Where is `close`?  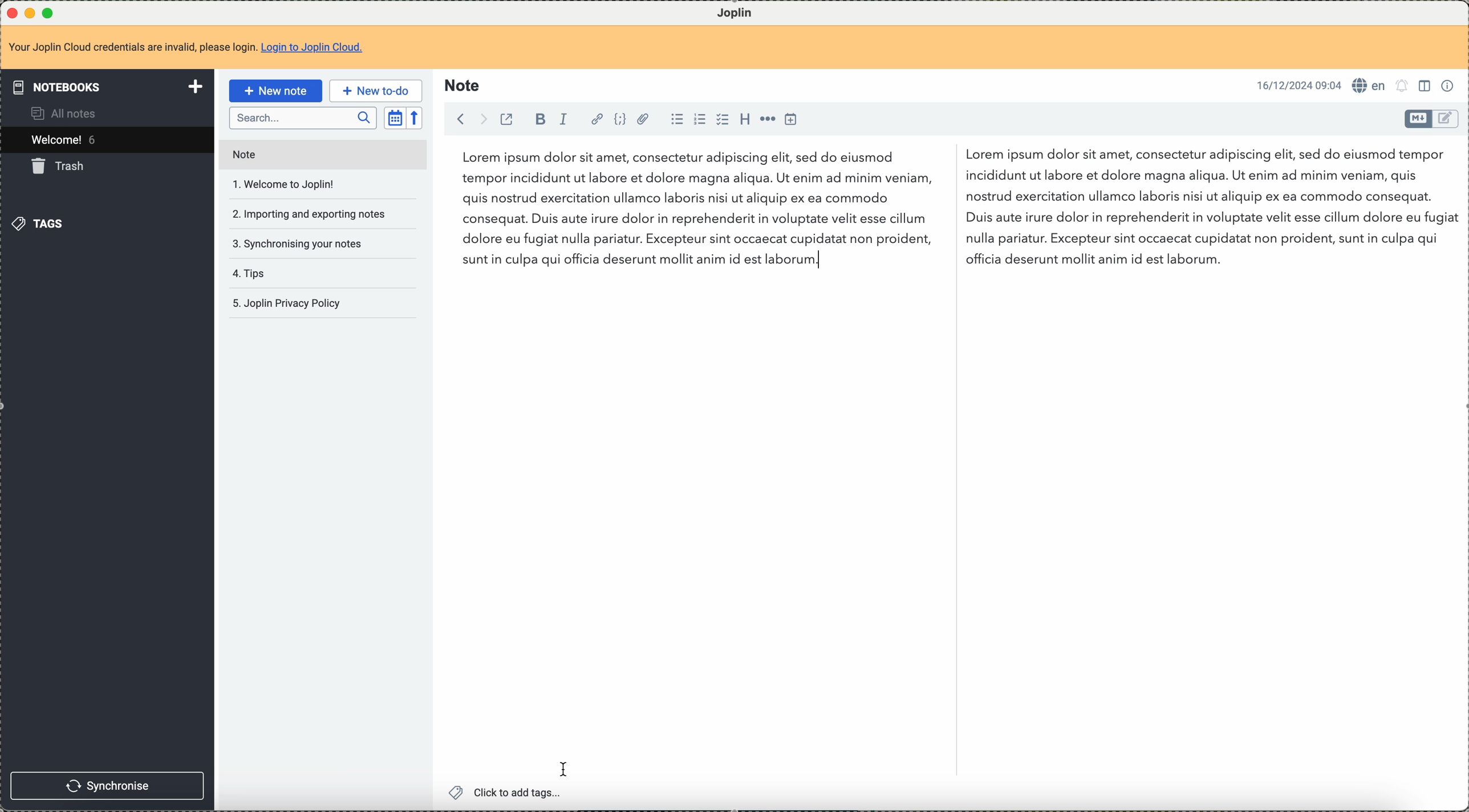 close is located at coordinates (10, 11).